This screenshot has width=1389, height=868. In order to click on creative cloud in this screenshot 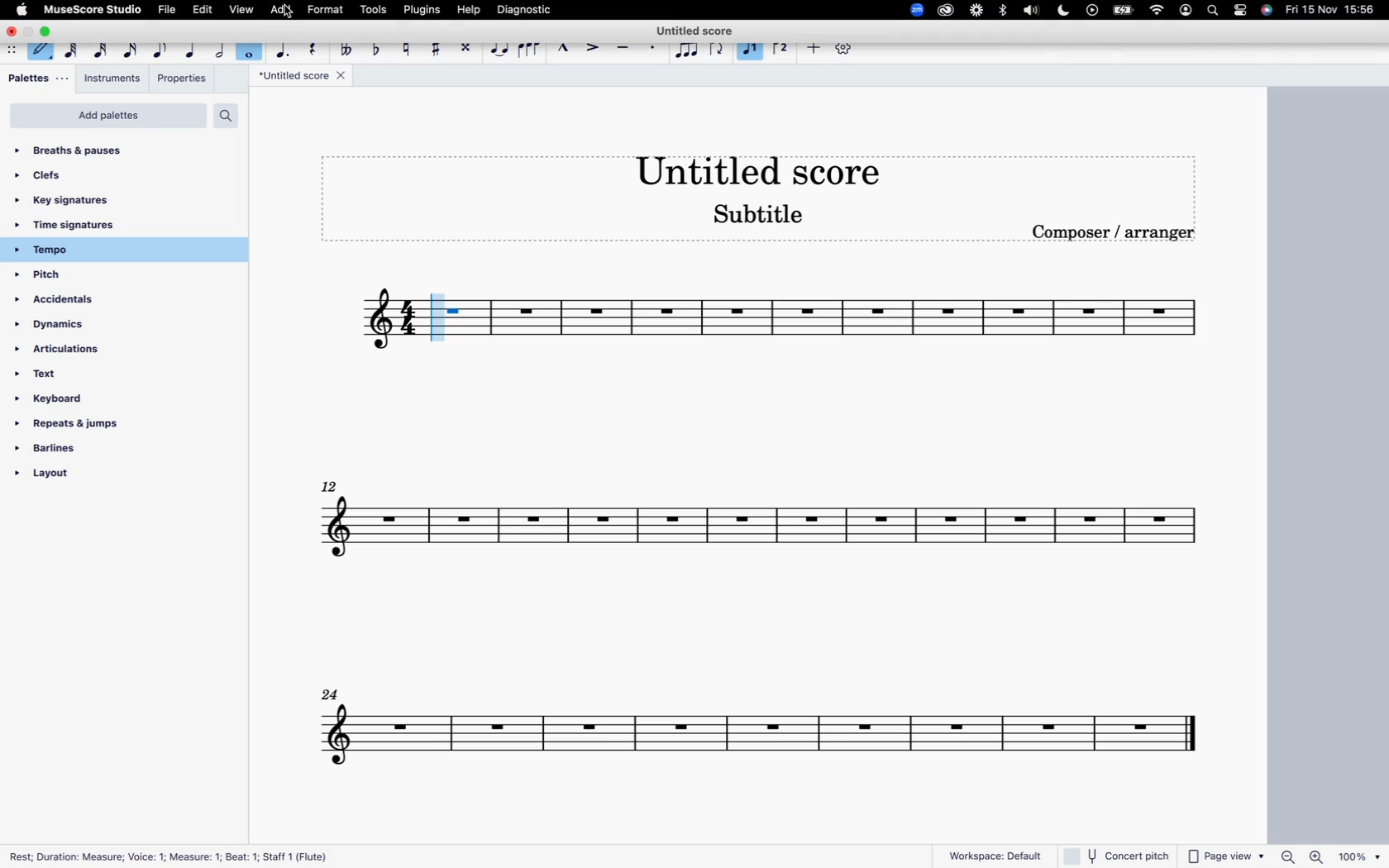, I will do `click(943, 12)`.